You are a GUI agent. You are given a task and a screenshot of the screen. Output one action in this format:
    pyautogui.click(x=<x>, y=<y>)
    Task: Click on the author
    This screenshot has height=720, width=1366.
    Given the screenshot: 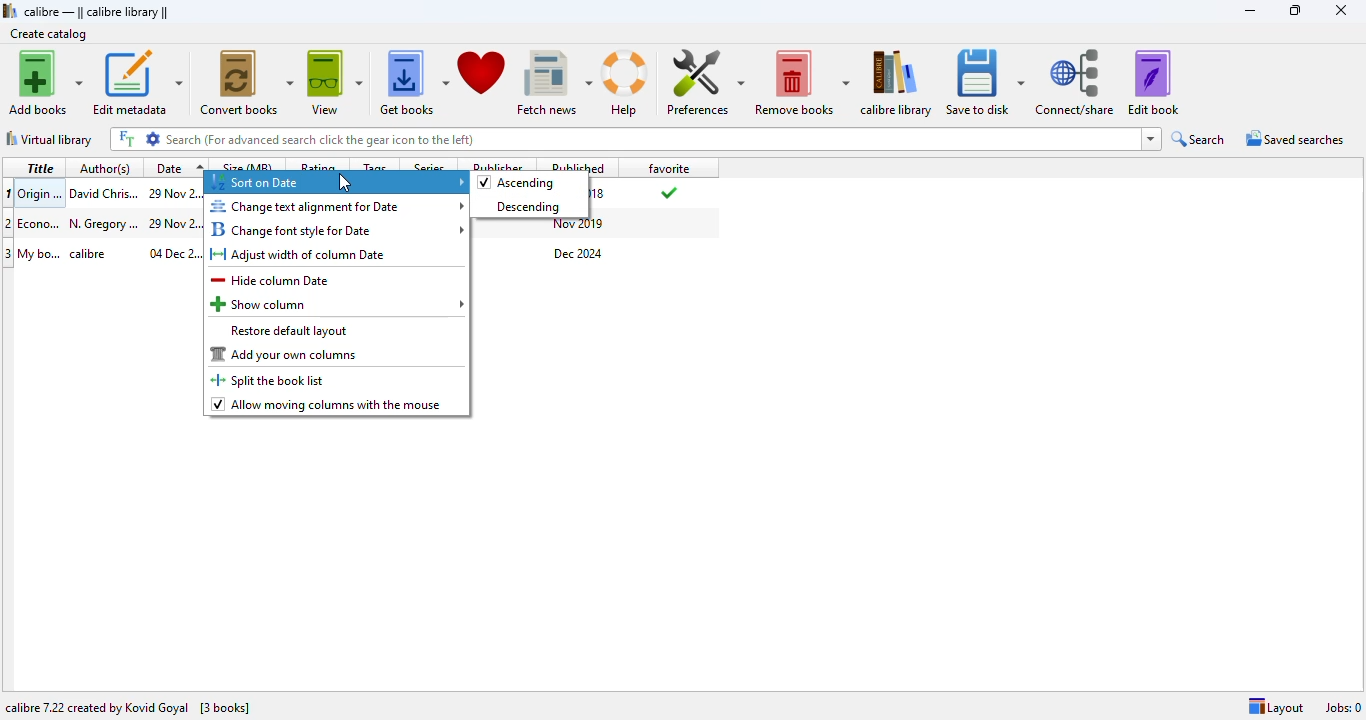 What is the action you would take?
    pyautogui.click(x=96, y=253)
    